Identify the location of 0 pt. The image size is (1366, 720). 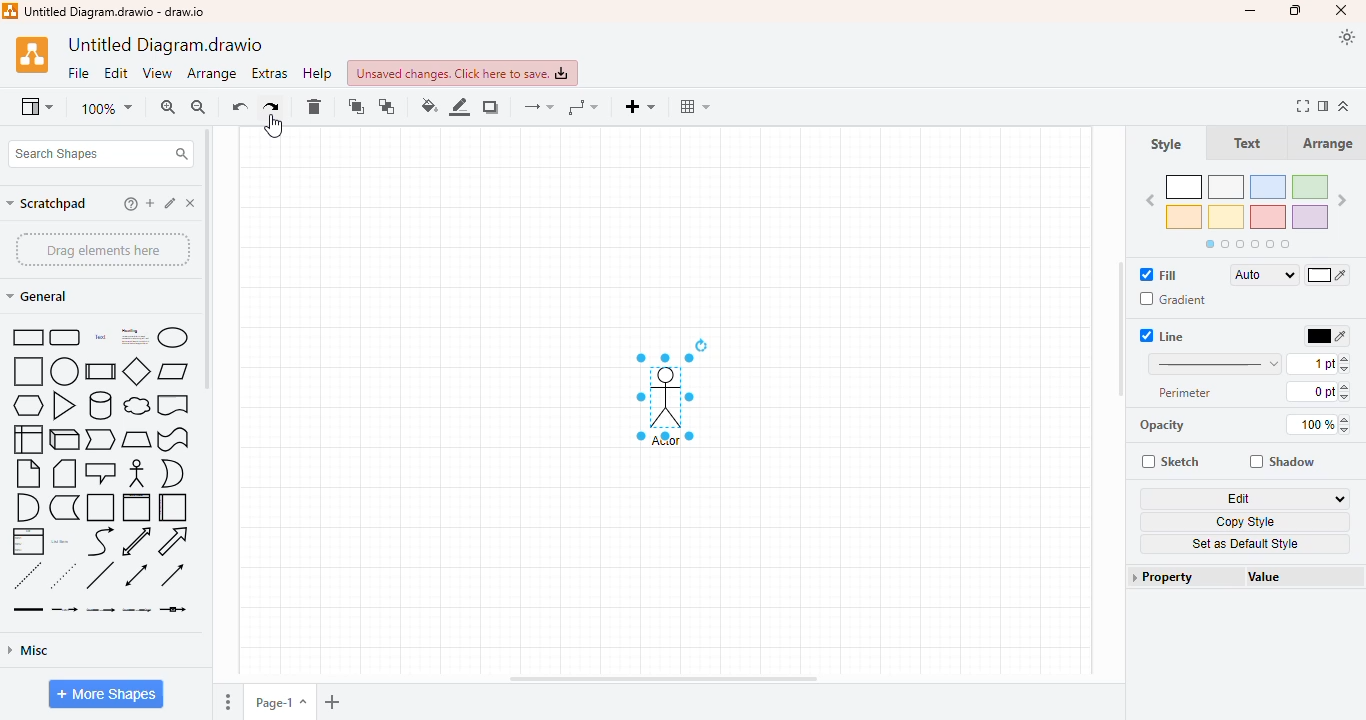
(1320, 392).